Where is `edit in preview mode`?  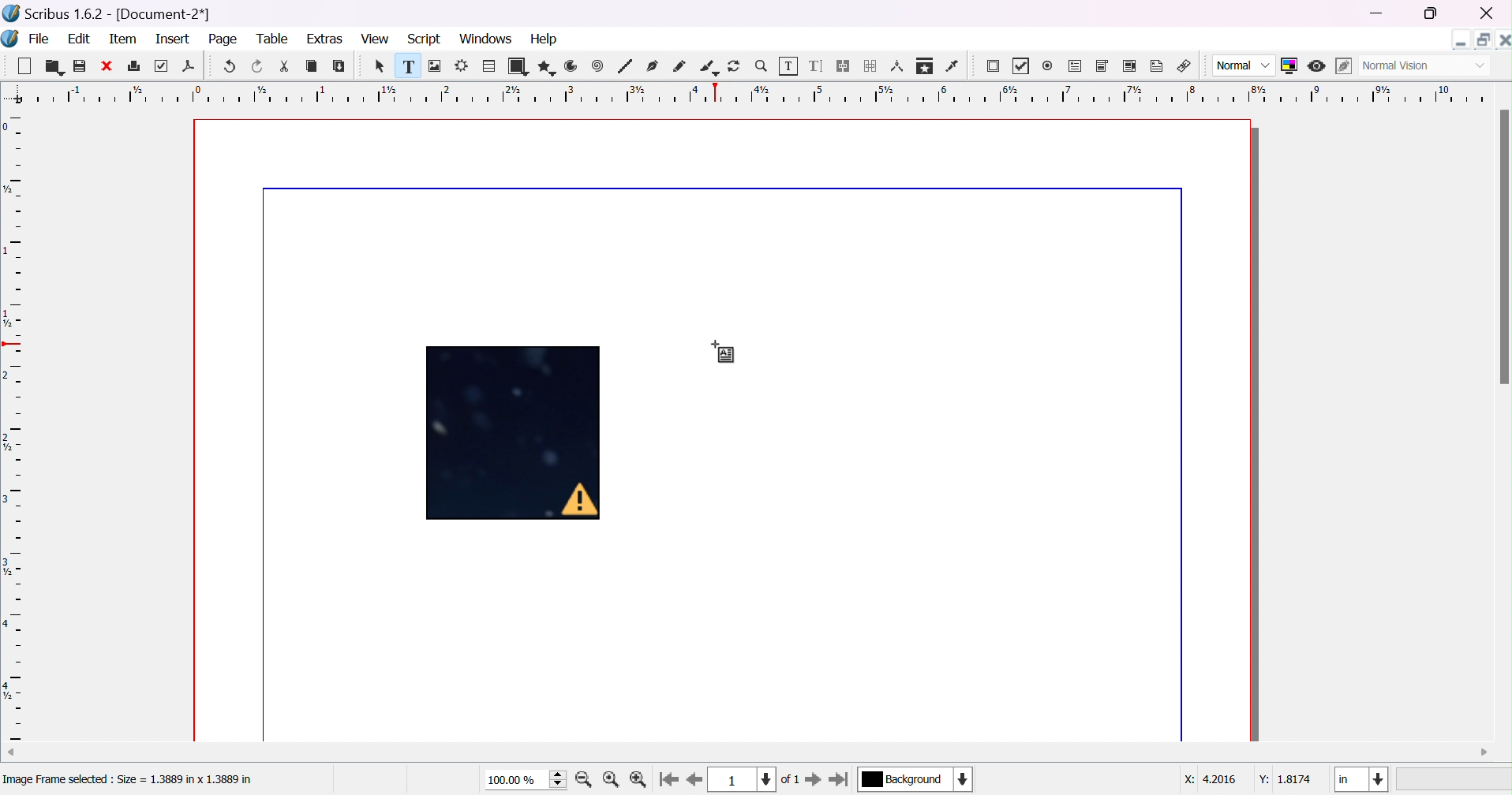 edit in preview mode is located at coordinates (1341, 66).